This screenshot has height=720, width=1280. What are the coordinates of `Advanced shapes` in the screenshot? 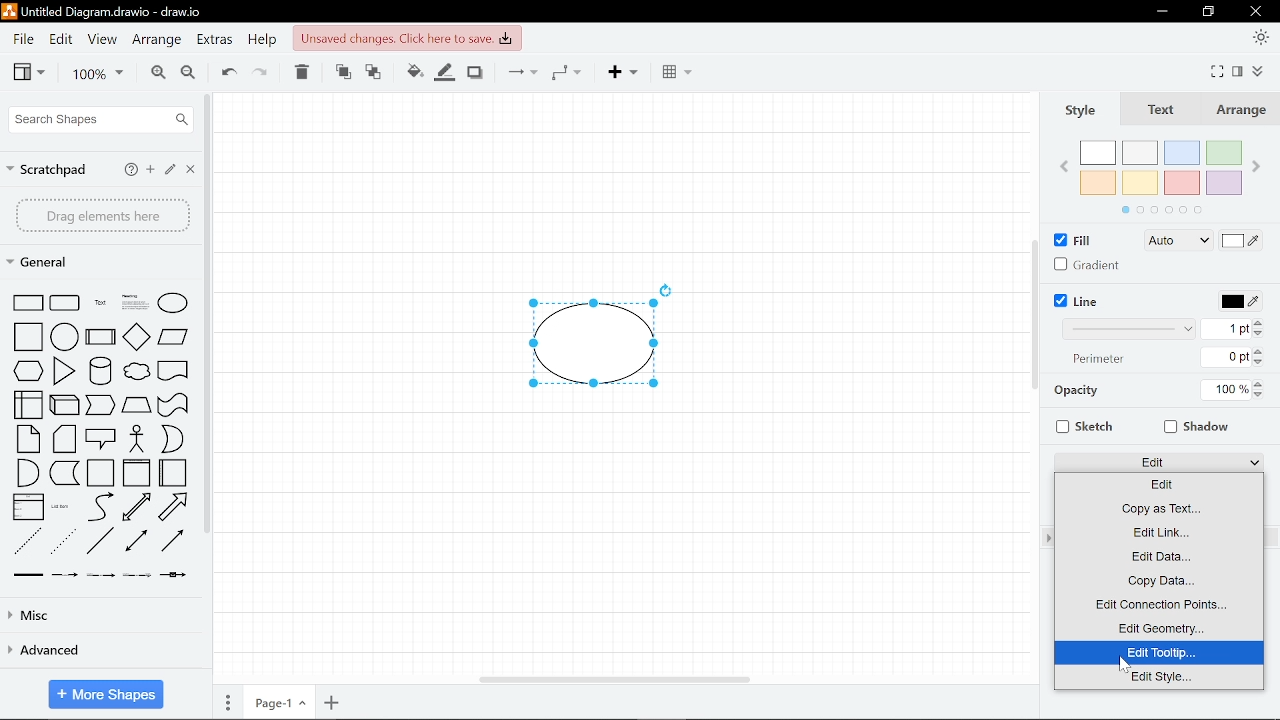 It's located at (94, 651).